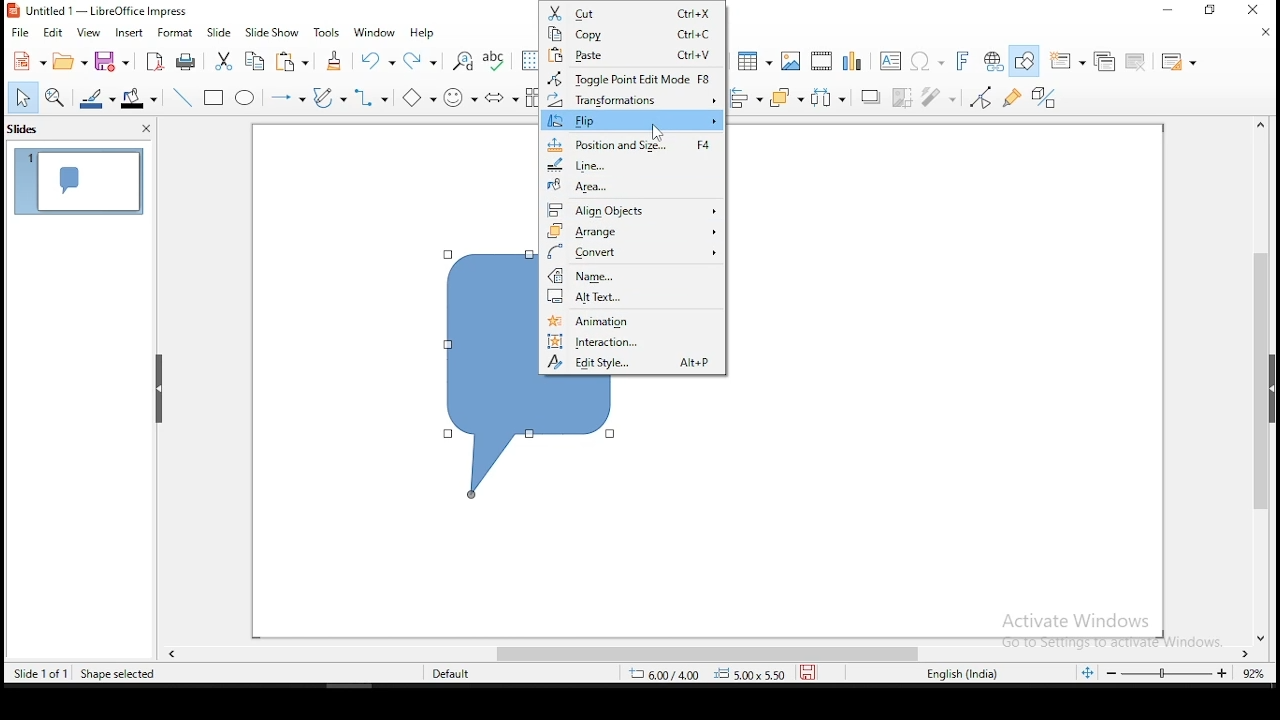  Describe the element at coordinates (31, 129) in the screenshot. I see `slides` at that location.